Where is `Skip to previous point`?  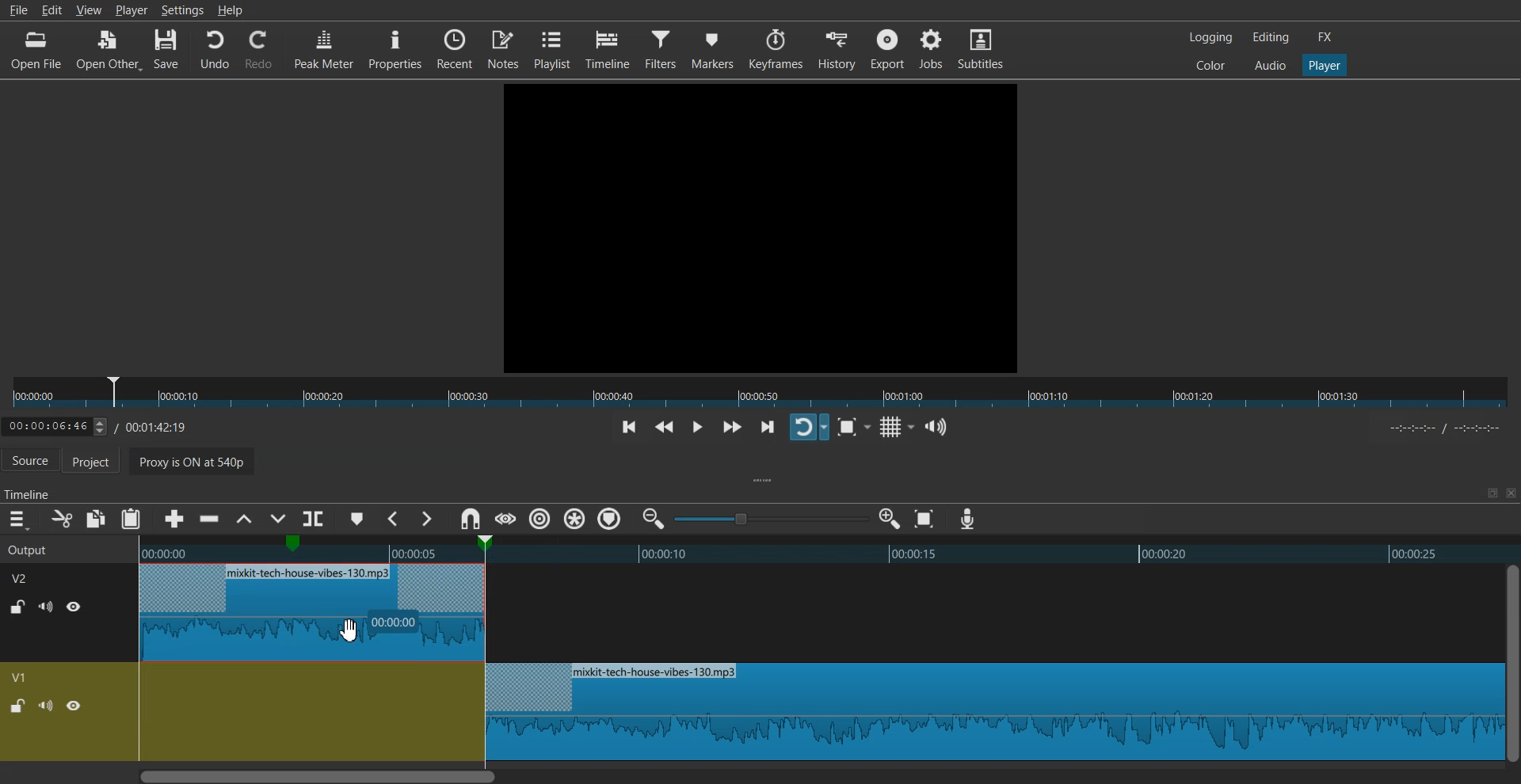 Skip to previous point is located at coordinates (629, 428).